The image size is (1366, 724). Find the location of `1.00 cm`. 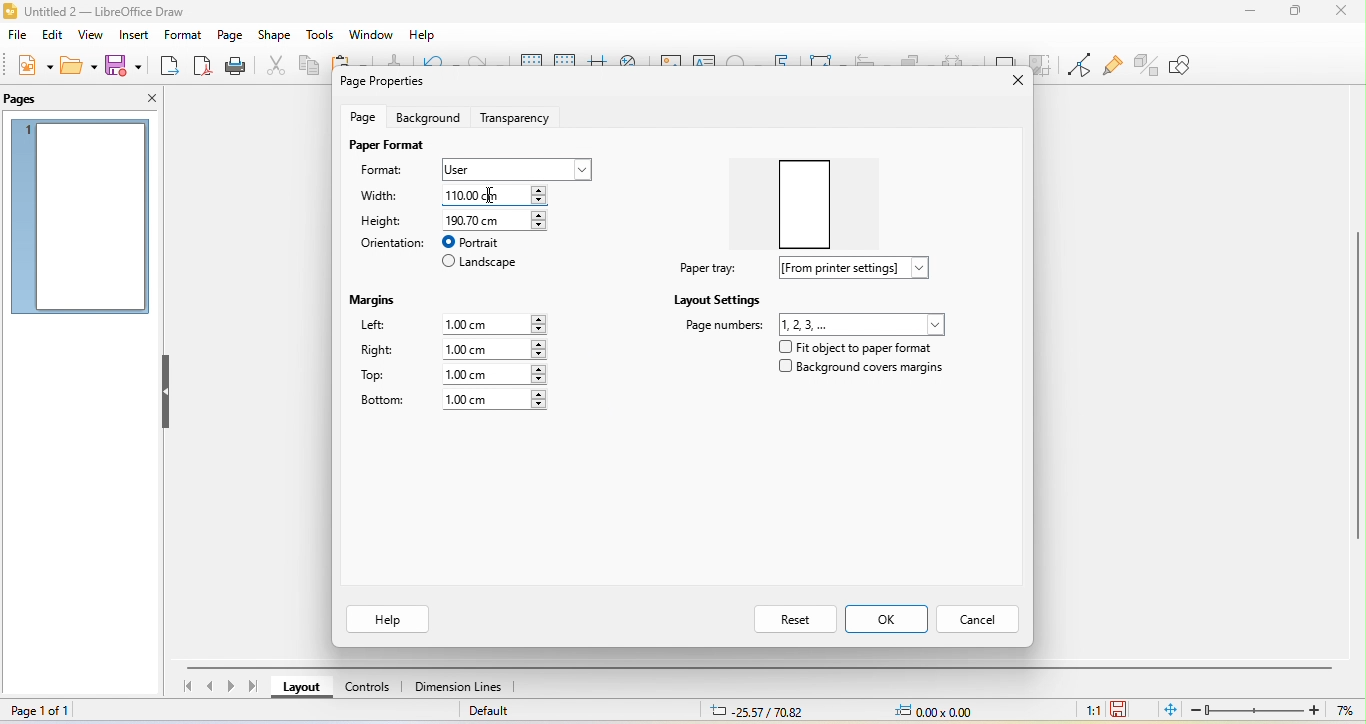

1.00 cm is located at coordinates (498, 322).